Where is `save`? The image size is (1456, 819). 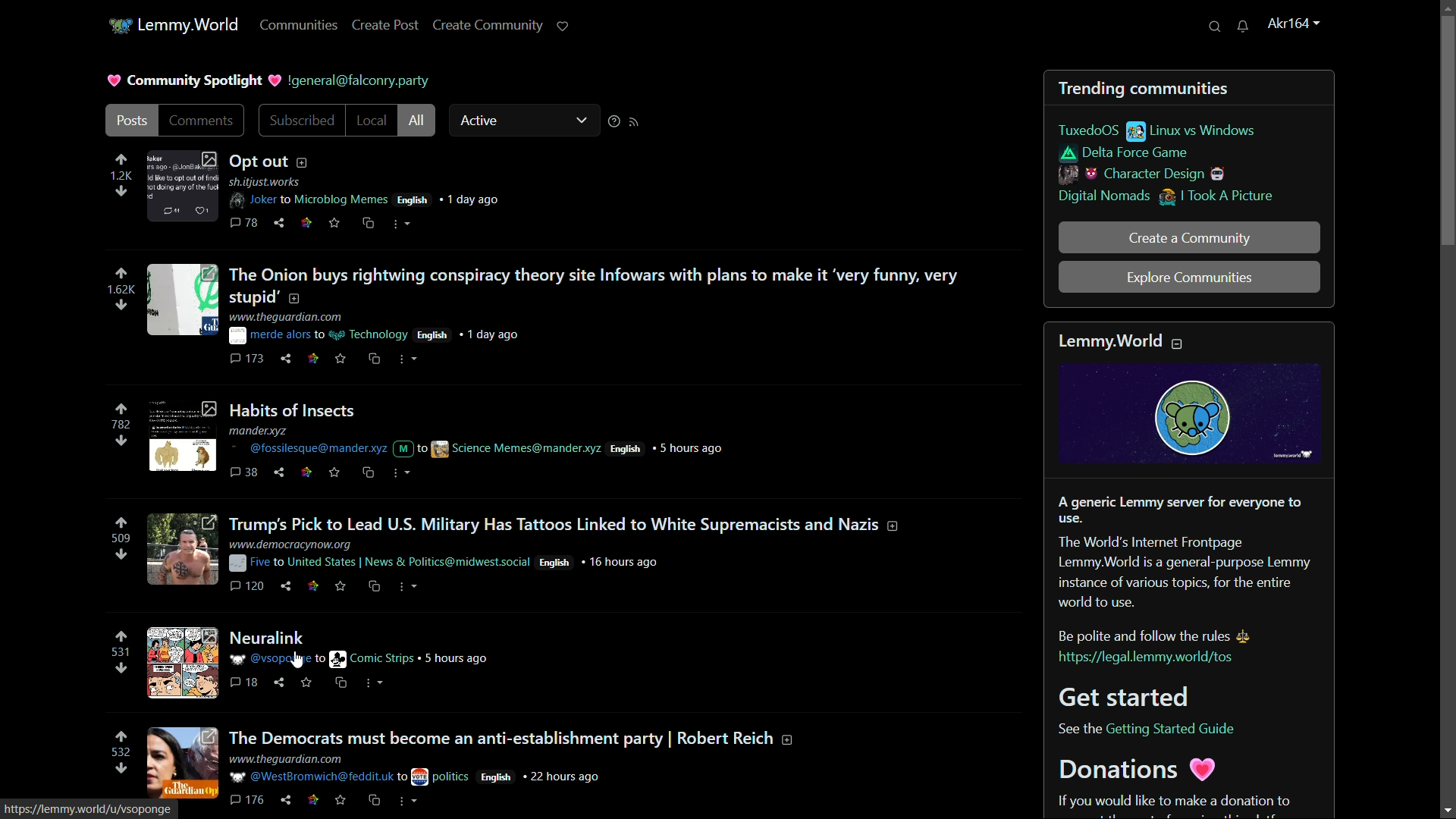
save is located at coordinates (337, 472).